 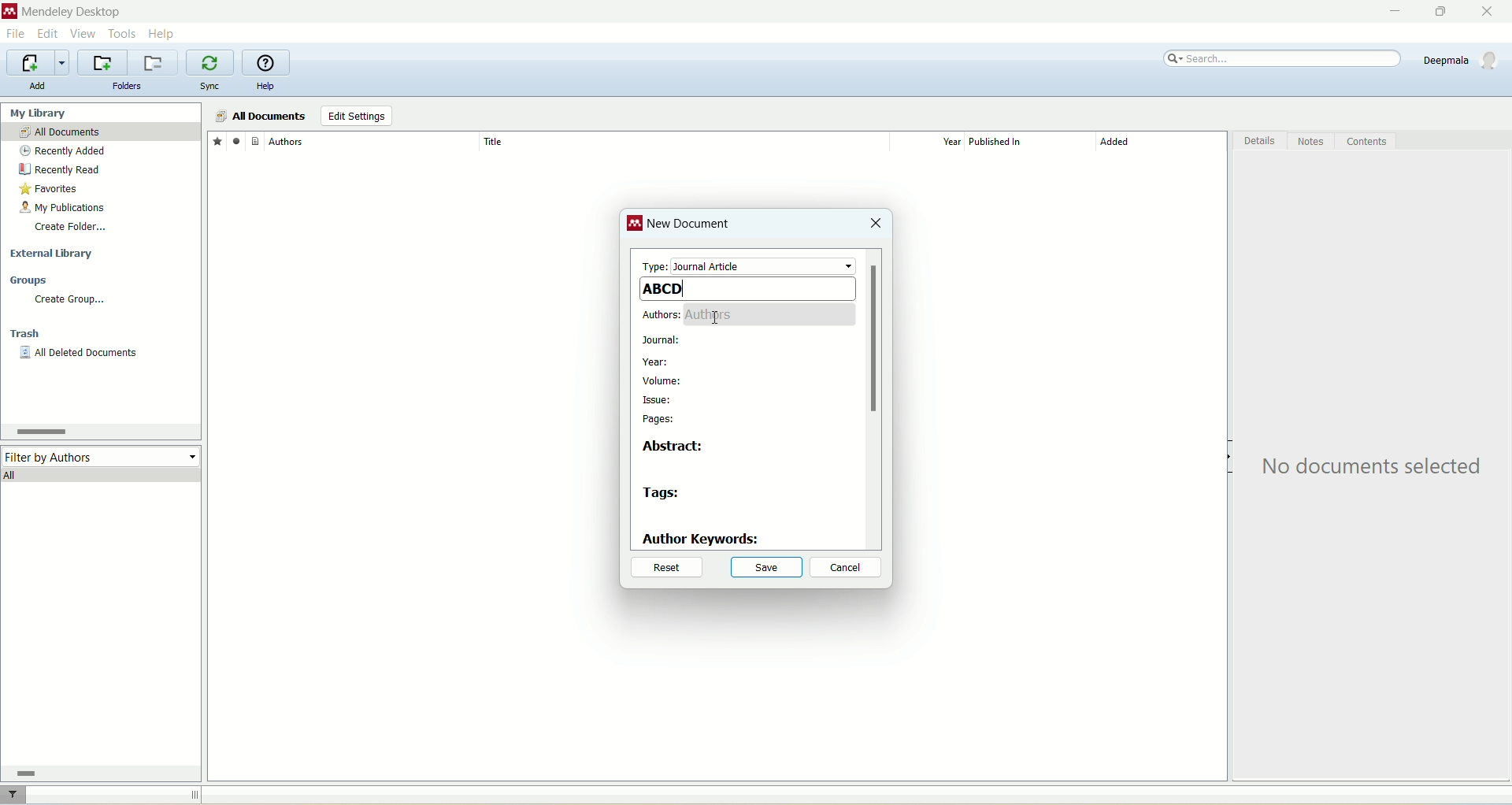 I want to click on save, so click(x=767, y=566).